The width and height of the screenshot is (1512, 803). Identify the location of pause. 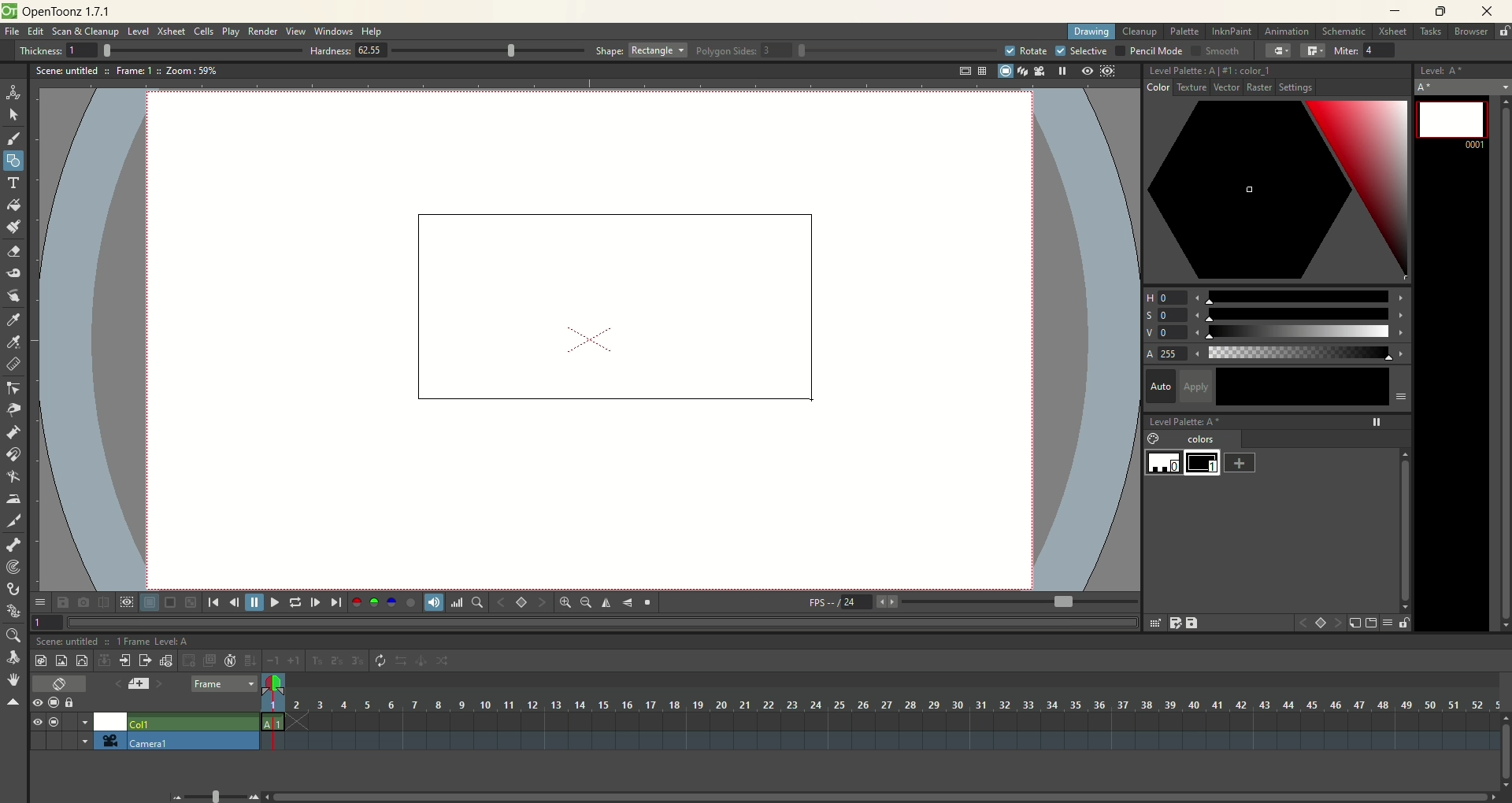
(254, 602).